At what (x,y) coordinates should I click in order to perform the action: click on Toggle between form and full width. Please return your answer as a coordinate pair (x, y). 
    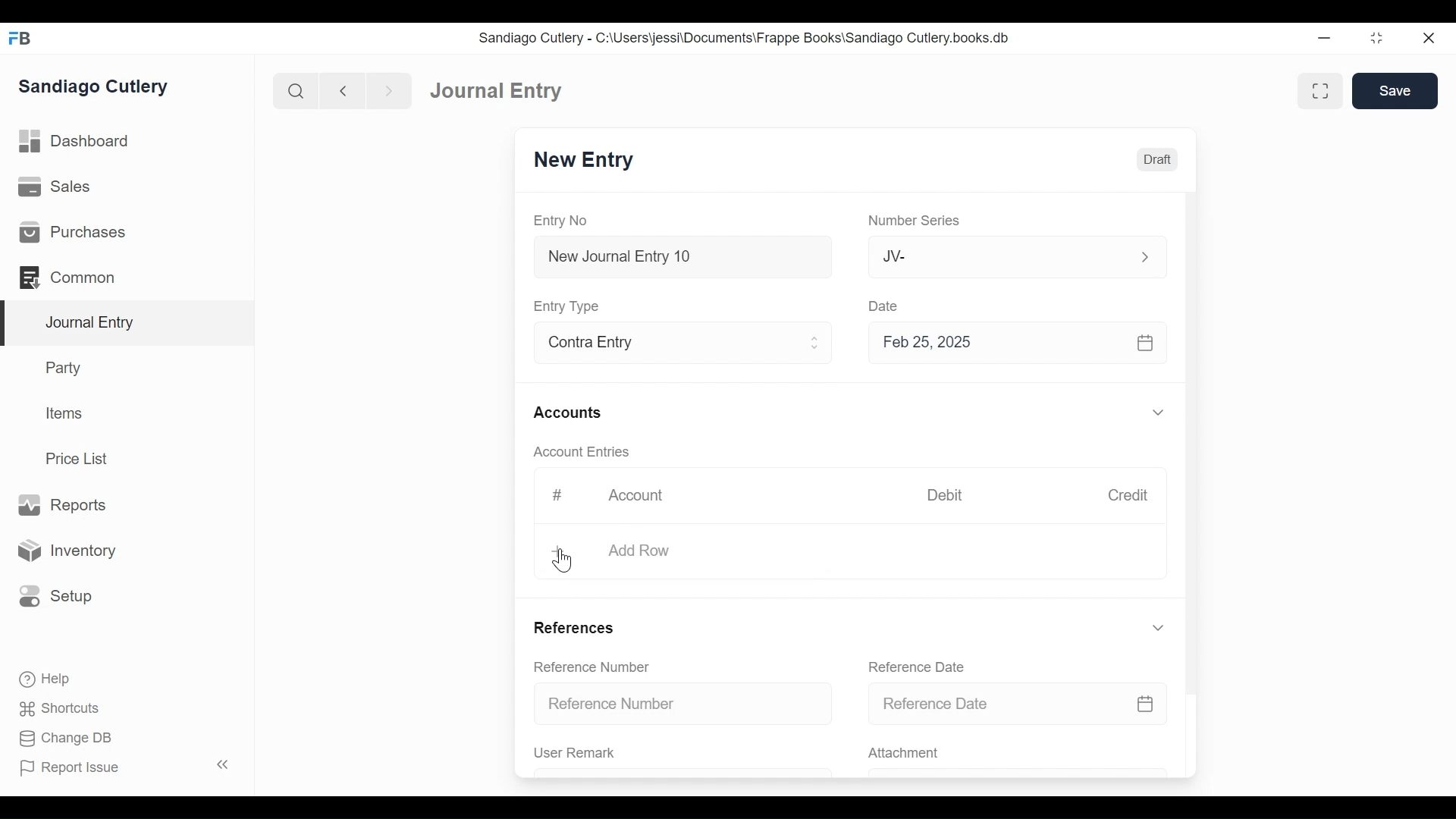
    Looking at the image, I should click on (1318, 89).